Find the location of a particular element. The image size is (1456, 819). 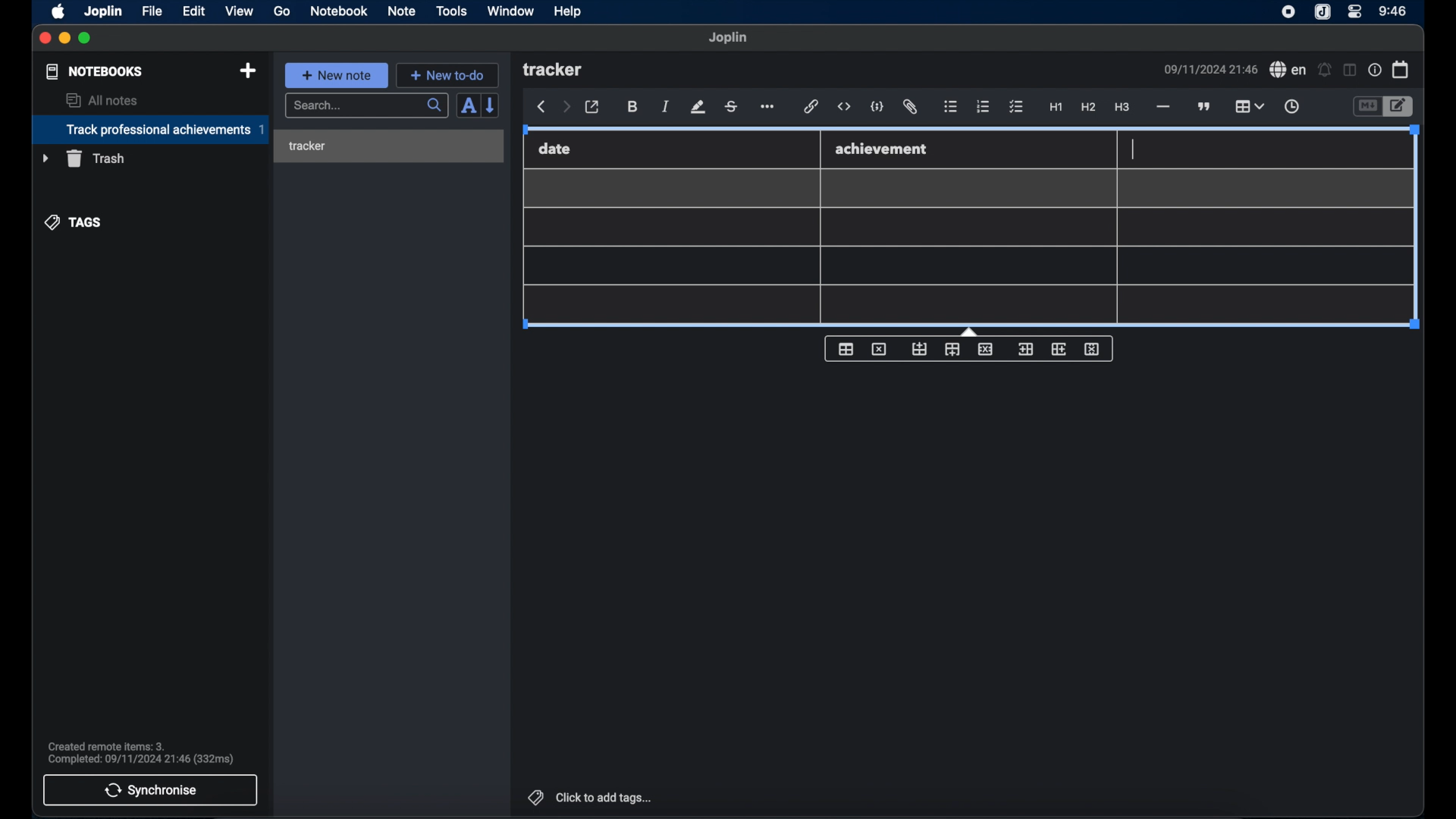

heading 1 is located at coordinates (1056, 108).